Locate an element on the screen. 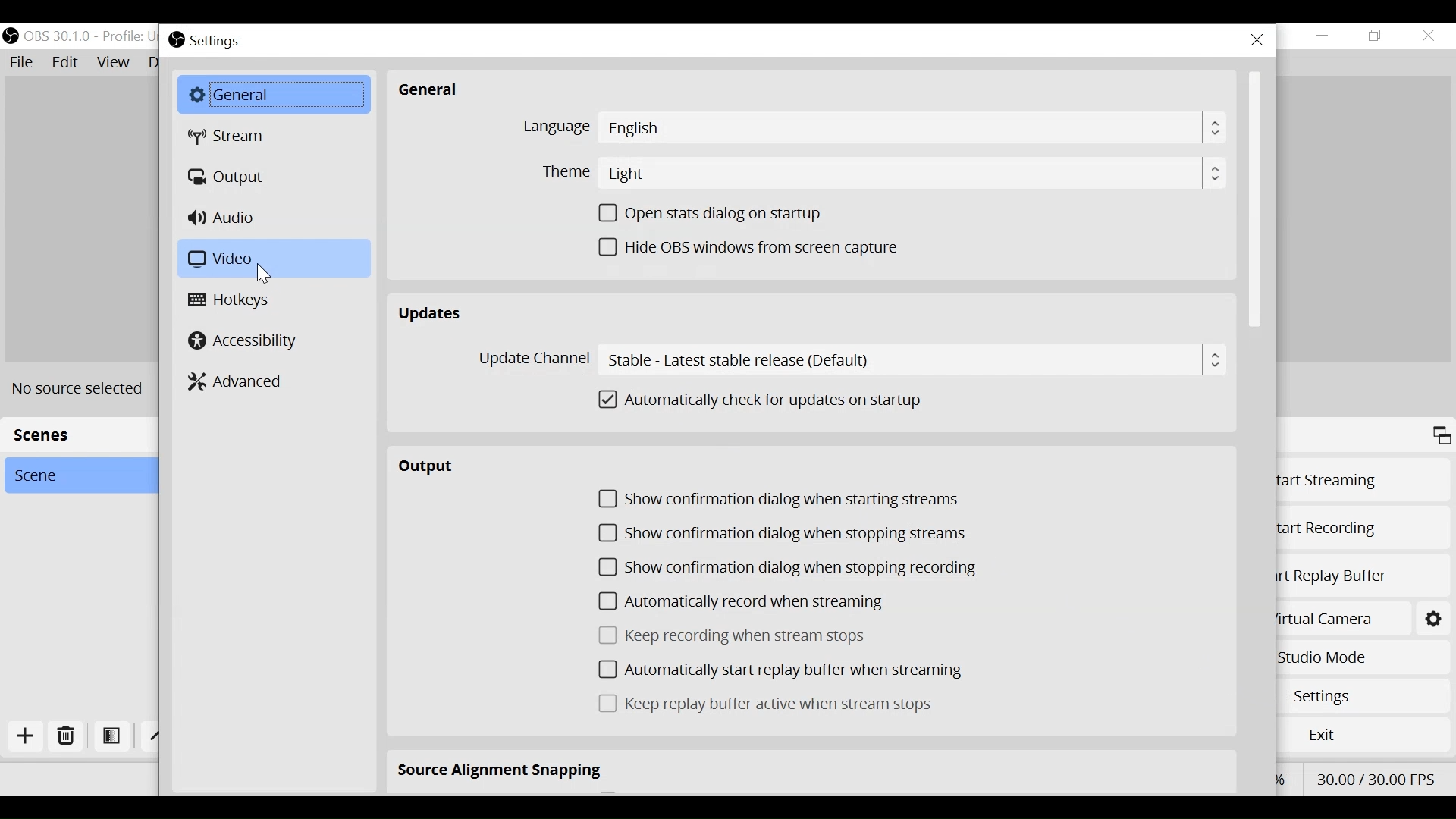 The width and height of the screenshot is (1456, 819). Output is located at coordinates (425, 467).